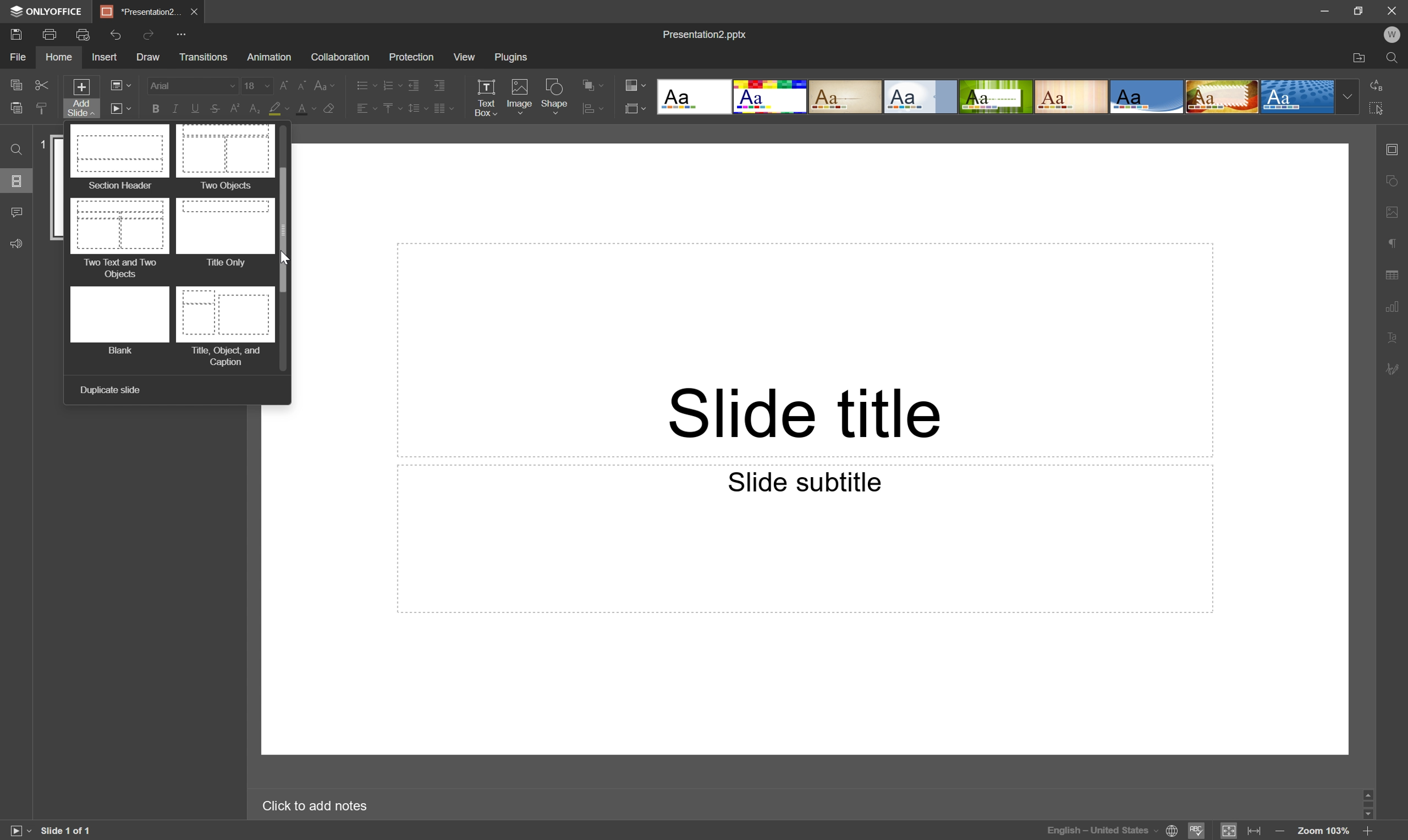  I want to click on Presentation2.pptx, so click(708, 36).